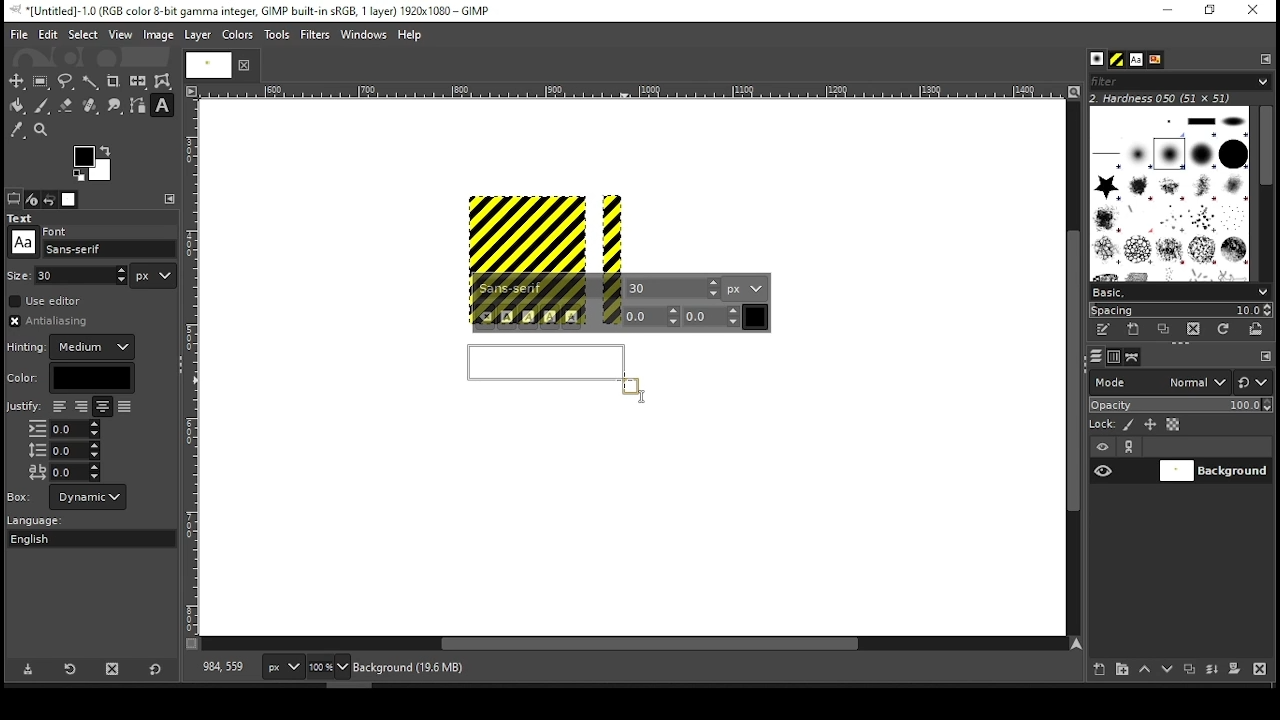 Image resolution: width=1280 pixels, height=720 pixels. Describe the element at coordinates (42, 131) in the screenshot. I see `zoom tool` at that location.